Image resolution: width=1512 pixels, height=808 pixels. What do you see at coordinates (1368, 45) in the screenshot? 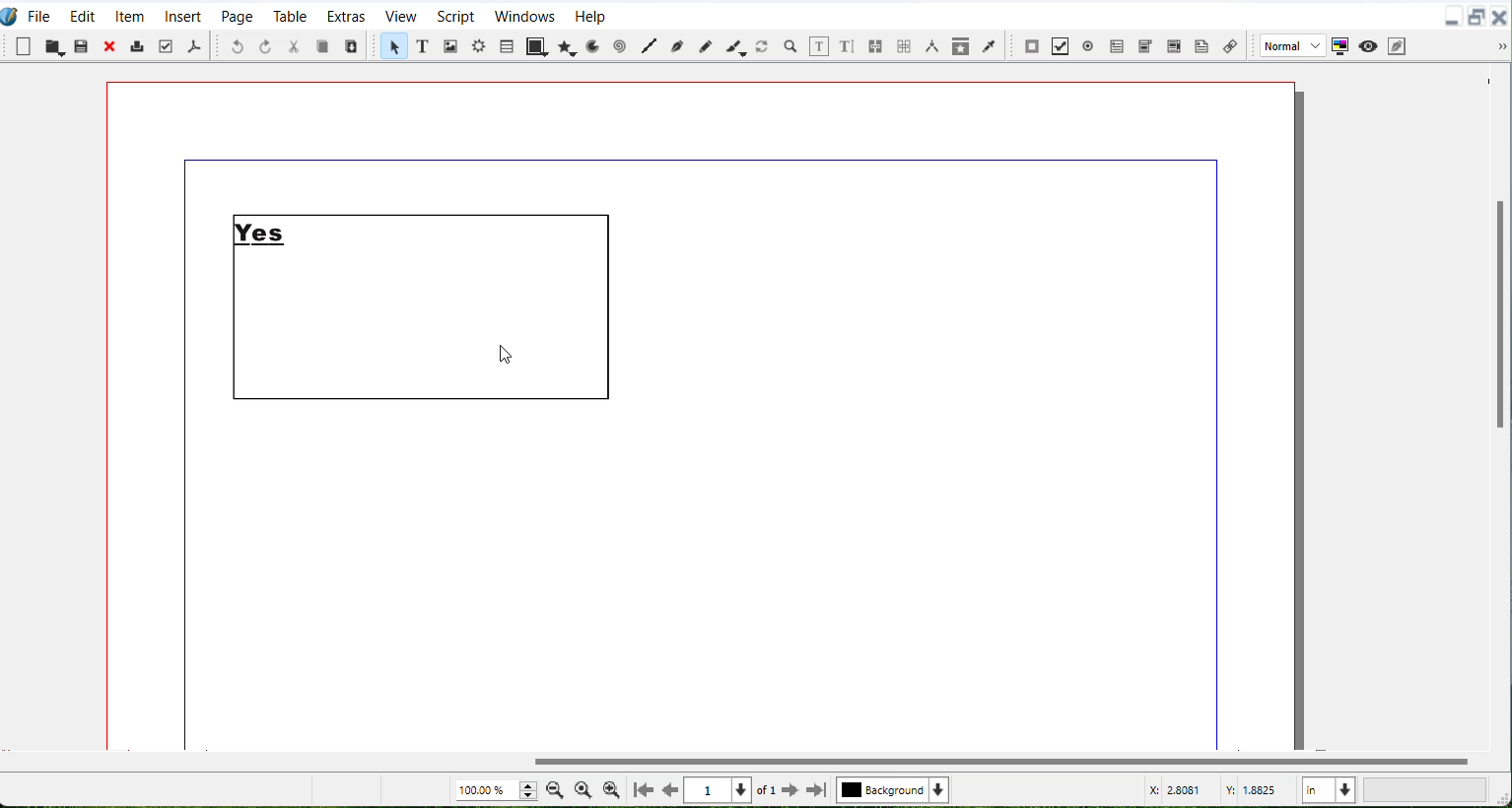
I see `Preview Mode` at bounding box center [1368, 45].